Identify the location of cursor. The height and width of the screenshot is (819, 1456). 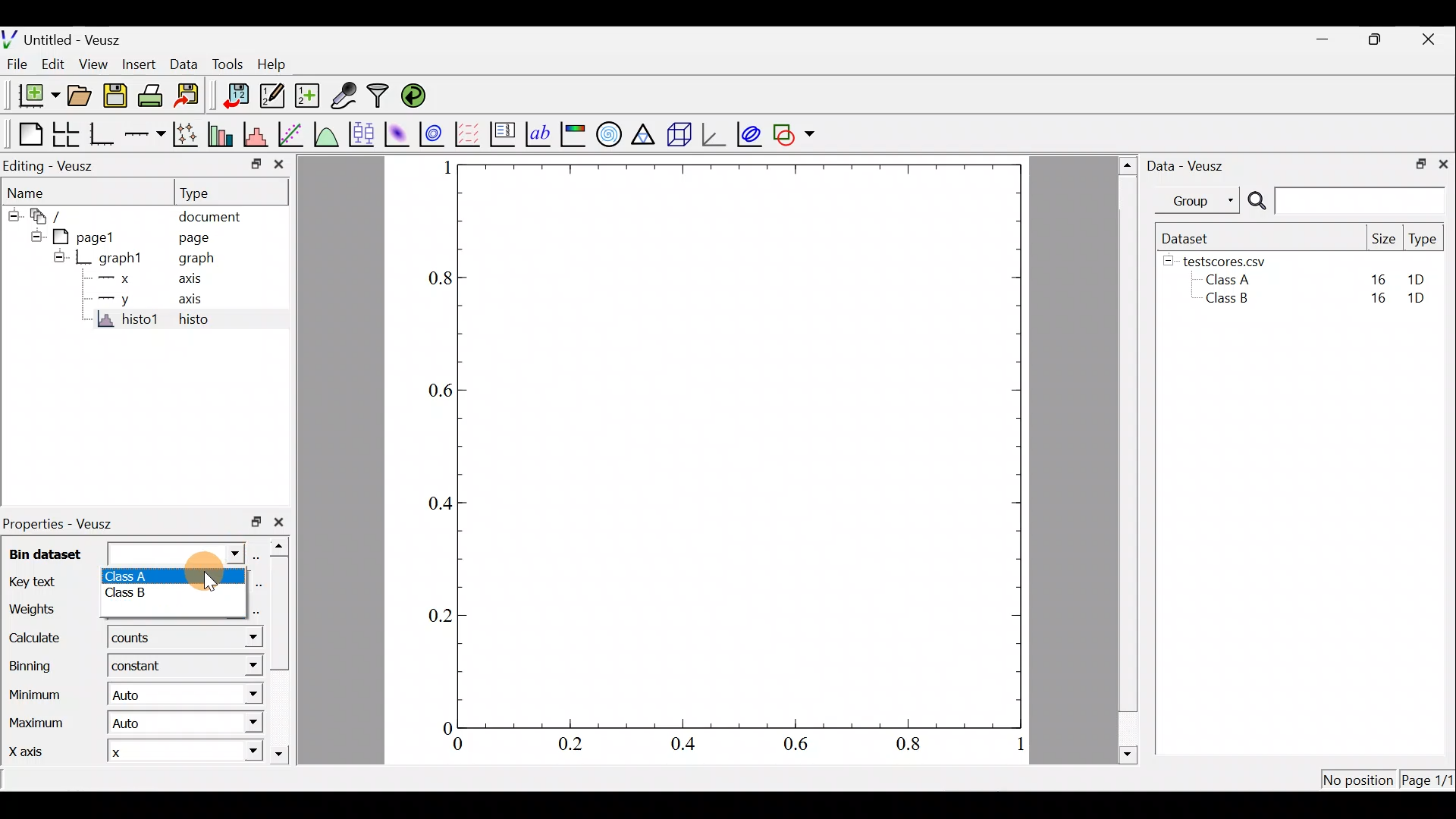
(209, 577).